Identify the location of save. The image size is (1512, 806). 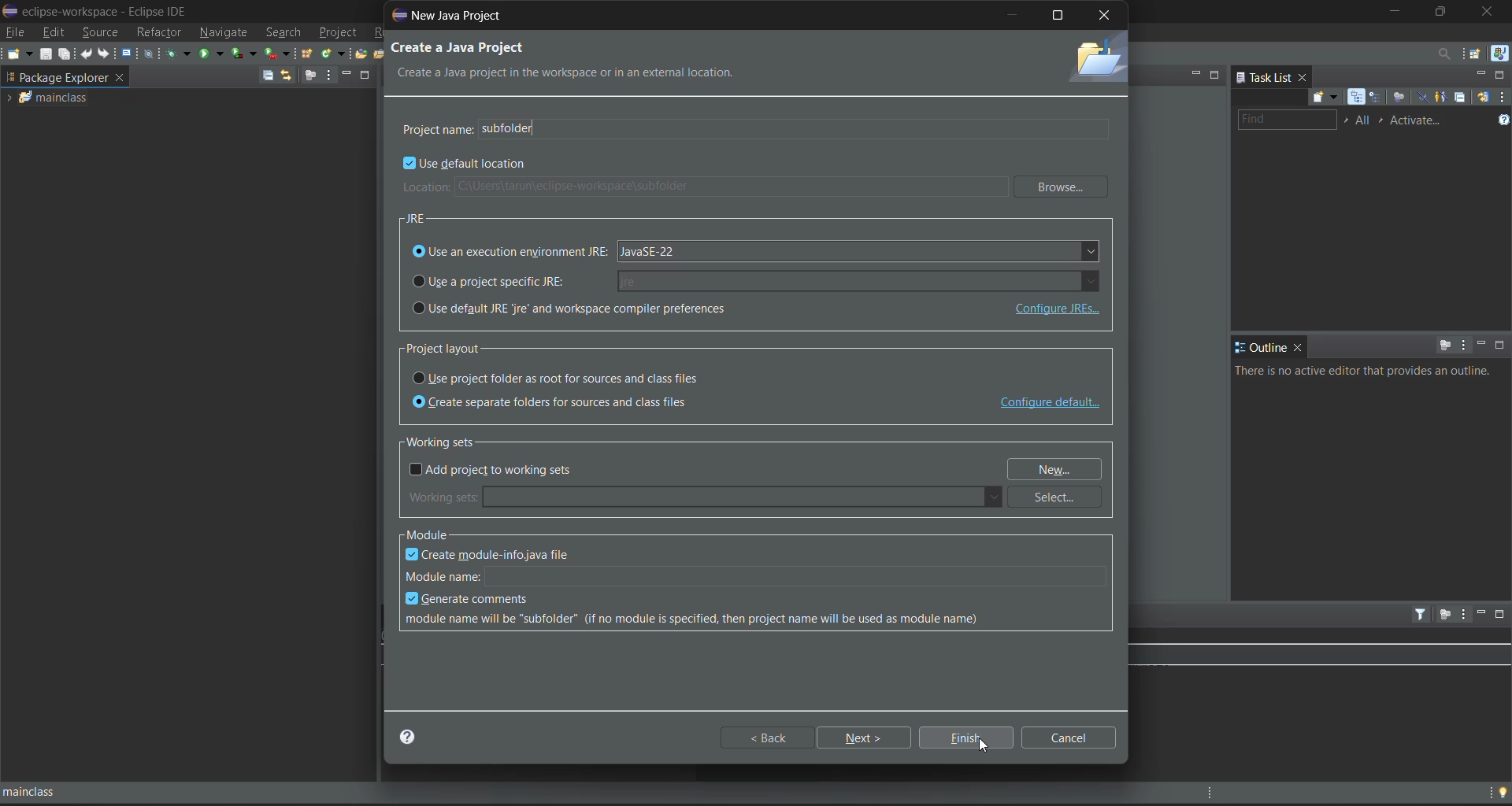
(46, 54).